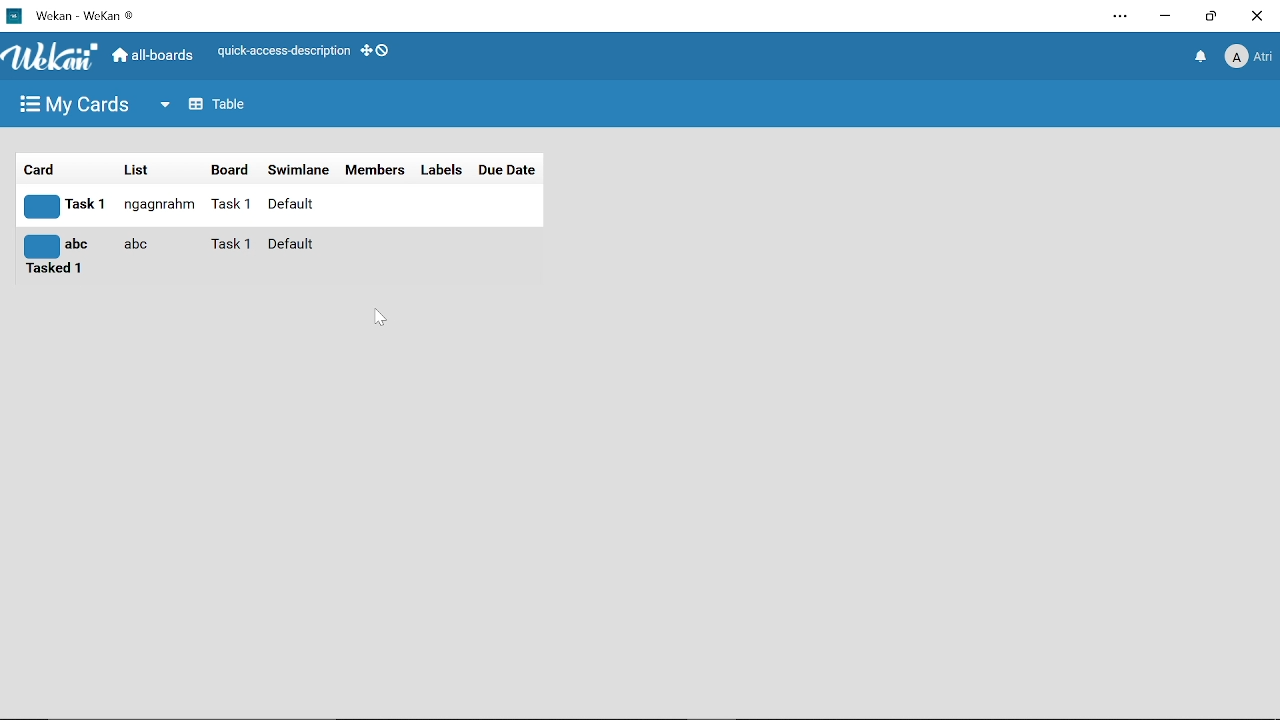 This screenshot has height=720, width=1280. I want to click on card title, so click(68, 255).